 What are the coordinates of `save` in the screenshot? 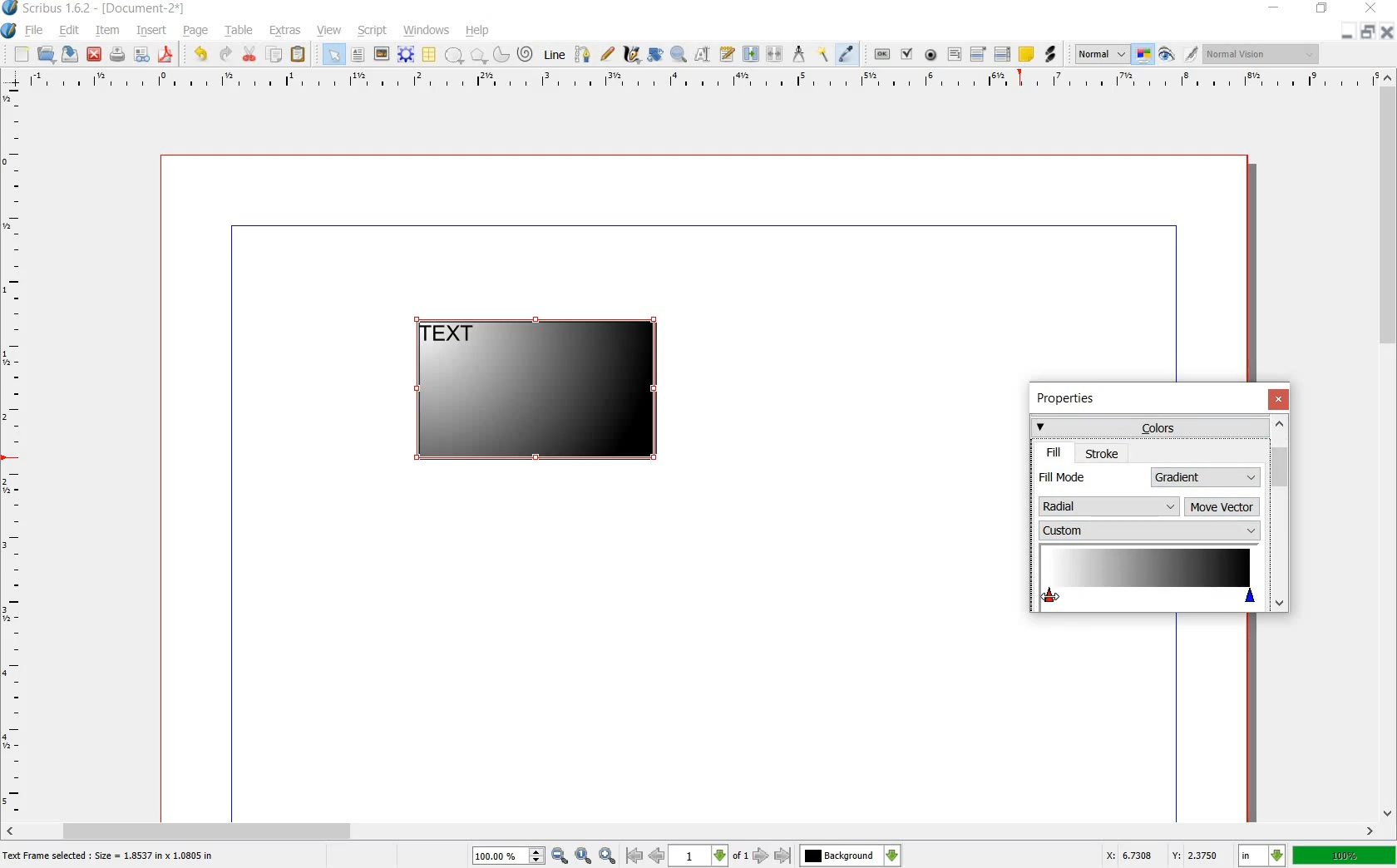 It's located at (72, 54).